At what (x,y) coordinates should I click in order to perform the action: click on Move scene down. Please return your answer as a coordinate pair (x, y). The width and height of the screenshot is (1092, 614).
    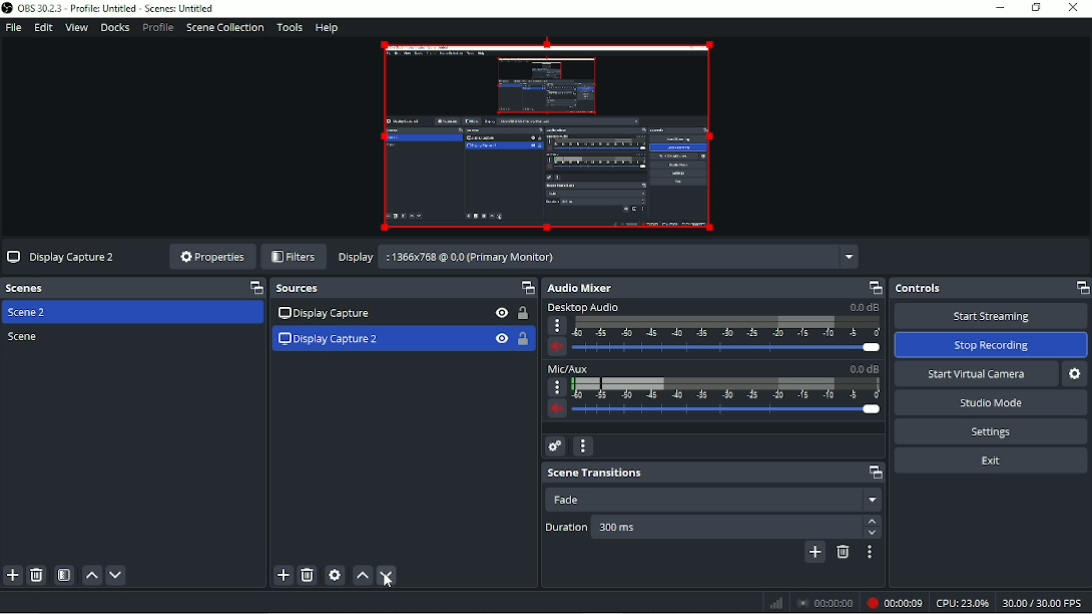
    Looking at the image, I should click on (115, 576).